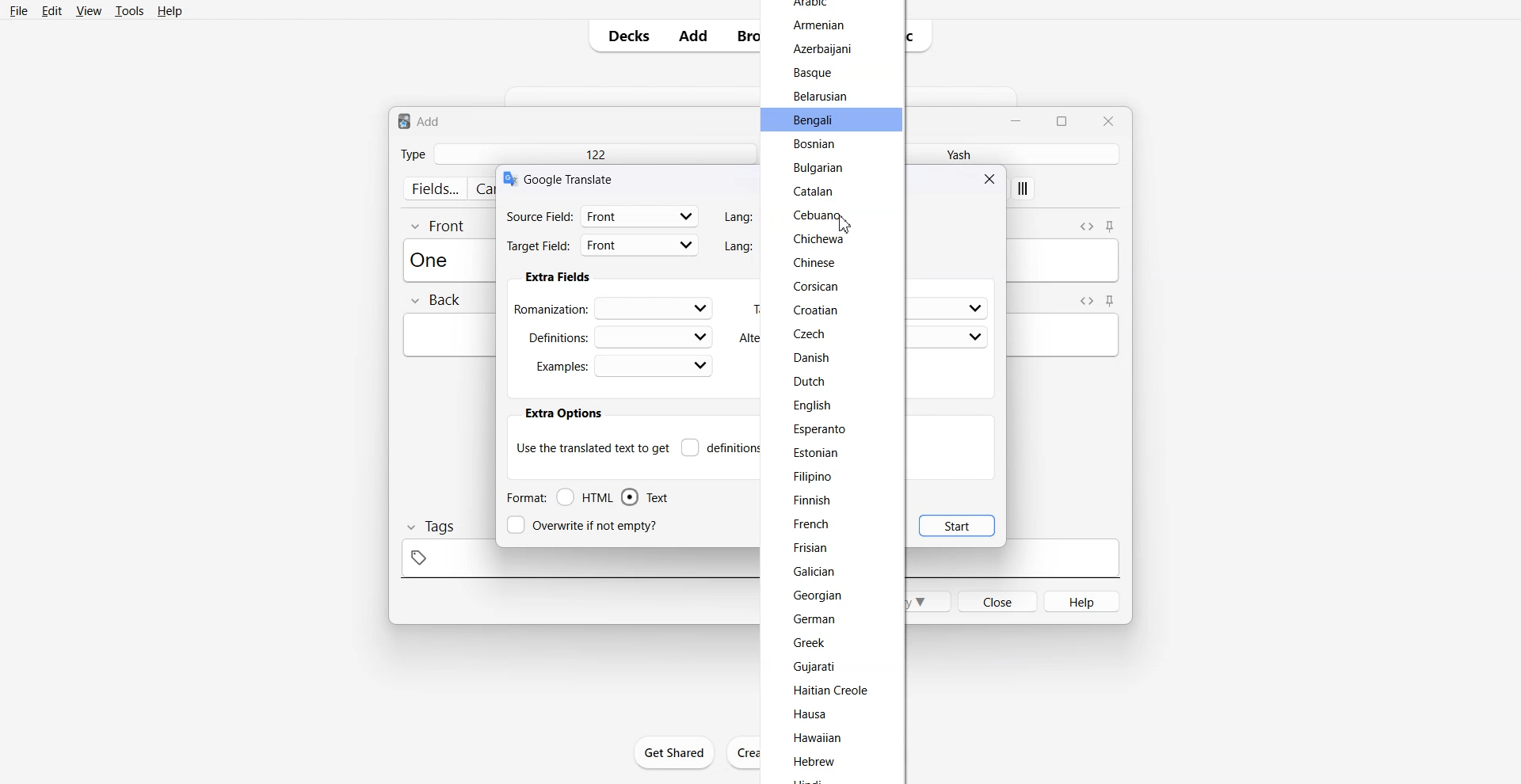 The image size is (1521, 784). Describe the element at coordinates (820, 238) in the screenshot. I see `Chichewa` at that location.